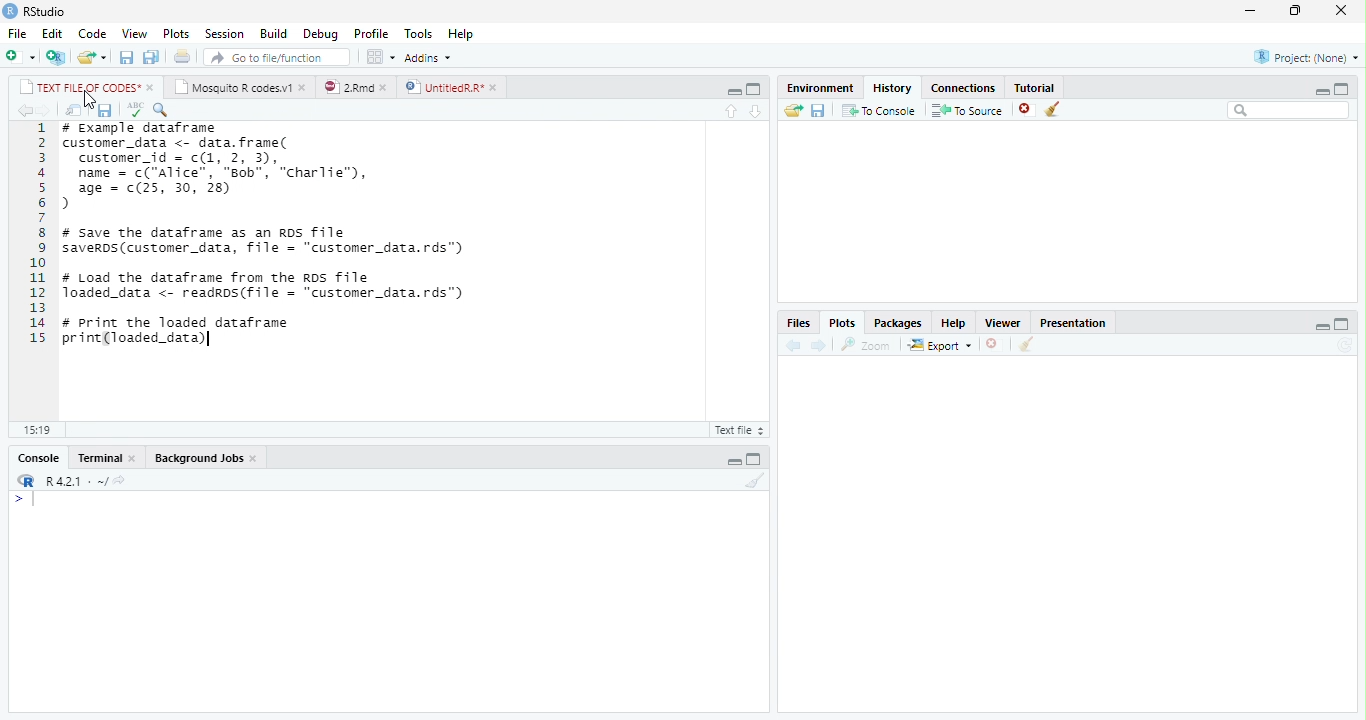 The height and width of the screenshot is (720, 1366). Describe the element at coordinates (21, 56) in the screenshot. I see `new file` at that location.